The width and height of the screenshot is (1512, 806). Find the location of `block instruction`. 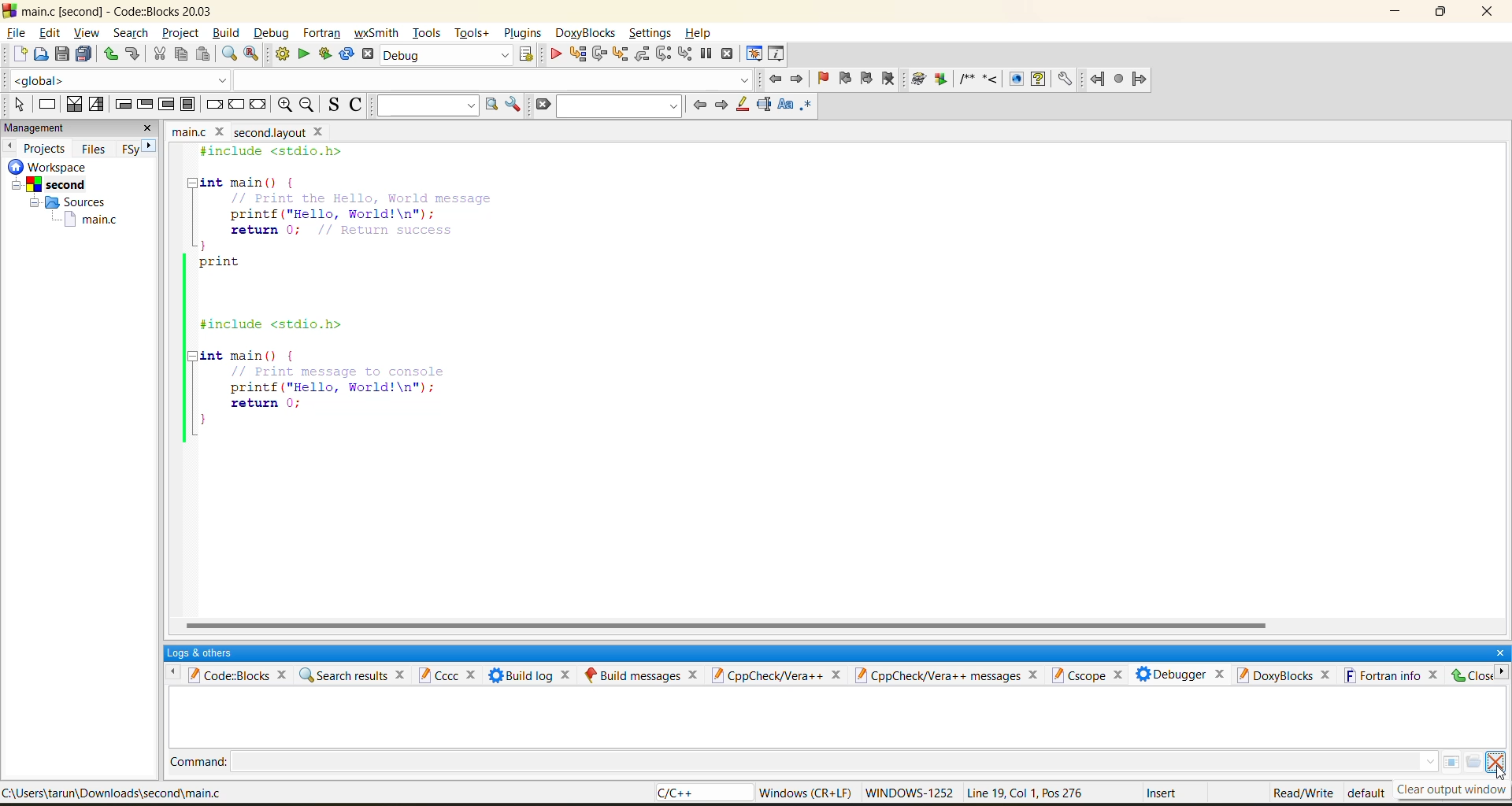

block instruction is located at coordinates (187, 104).